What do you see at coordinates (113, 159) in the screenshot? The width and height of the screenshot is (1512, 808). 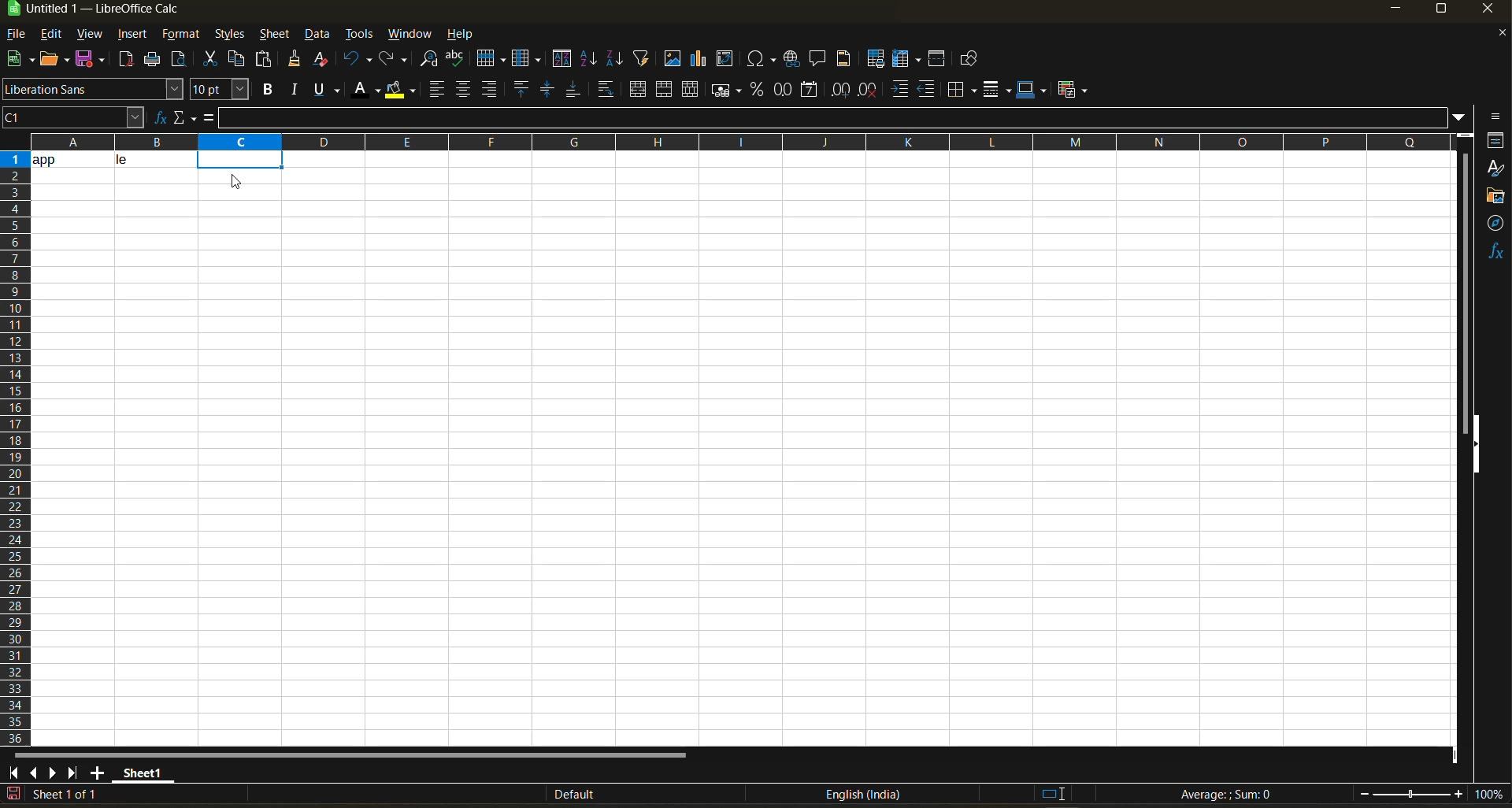 I see `data` at bounding box center [113, 159].